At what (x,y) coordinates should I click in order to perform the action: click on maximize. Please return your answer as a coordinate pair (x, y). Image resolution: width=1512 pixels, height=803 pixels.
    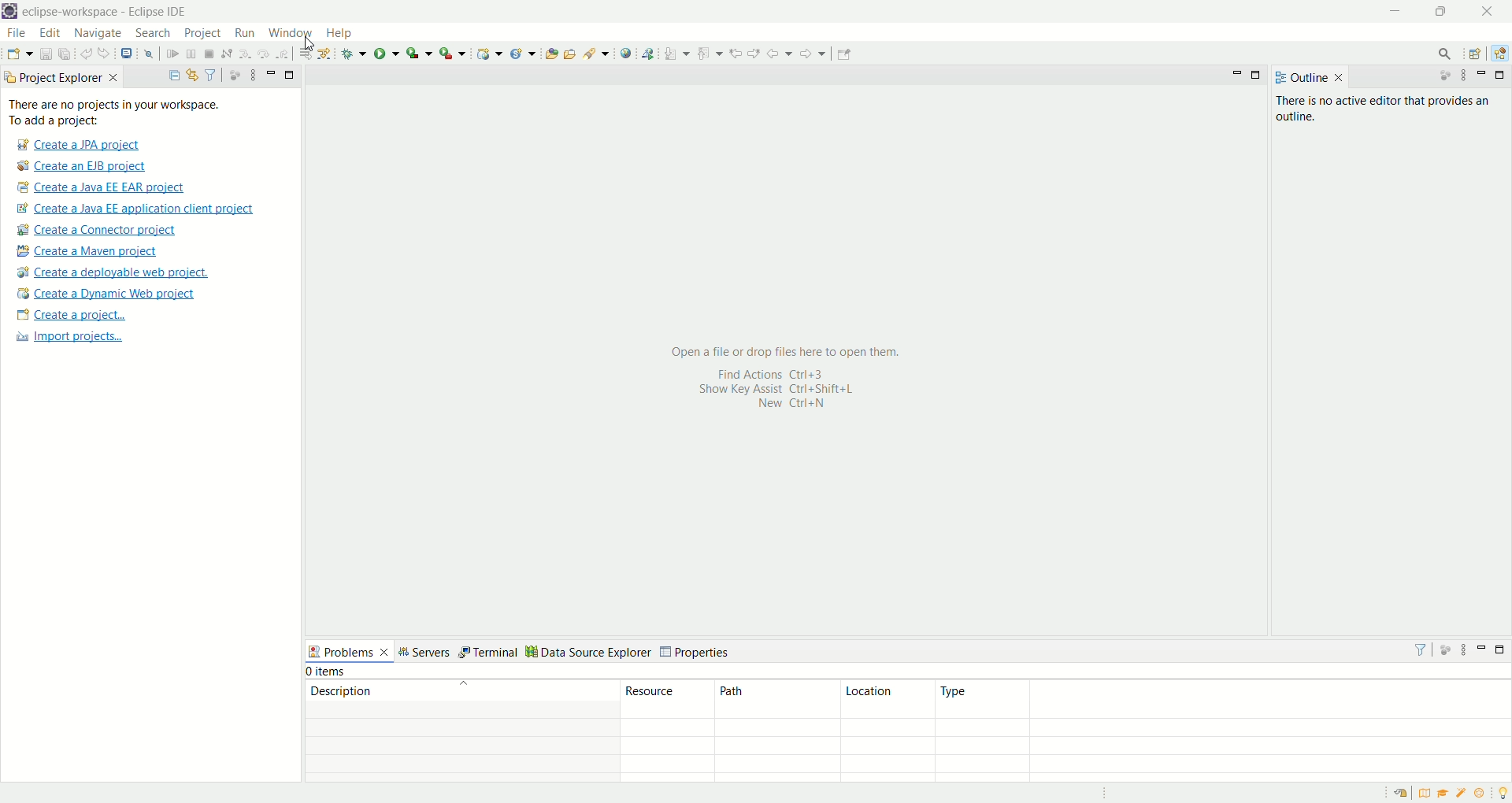
    Looking at the image, I should click on (1500, 651).